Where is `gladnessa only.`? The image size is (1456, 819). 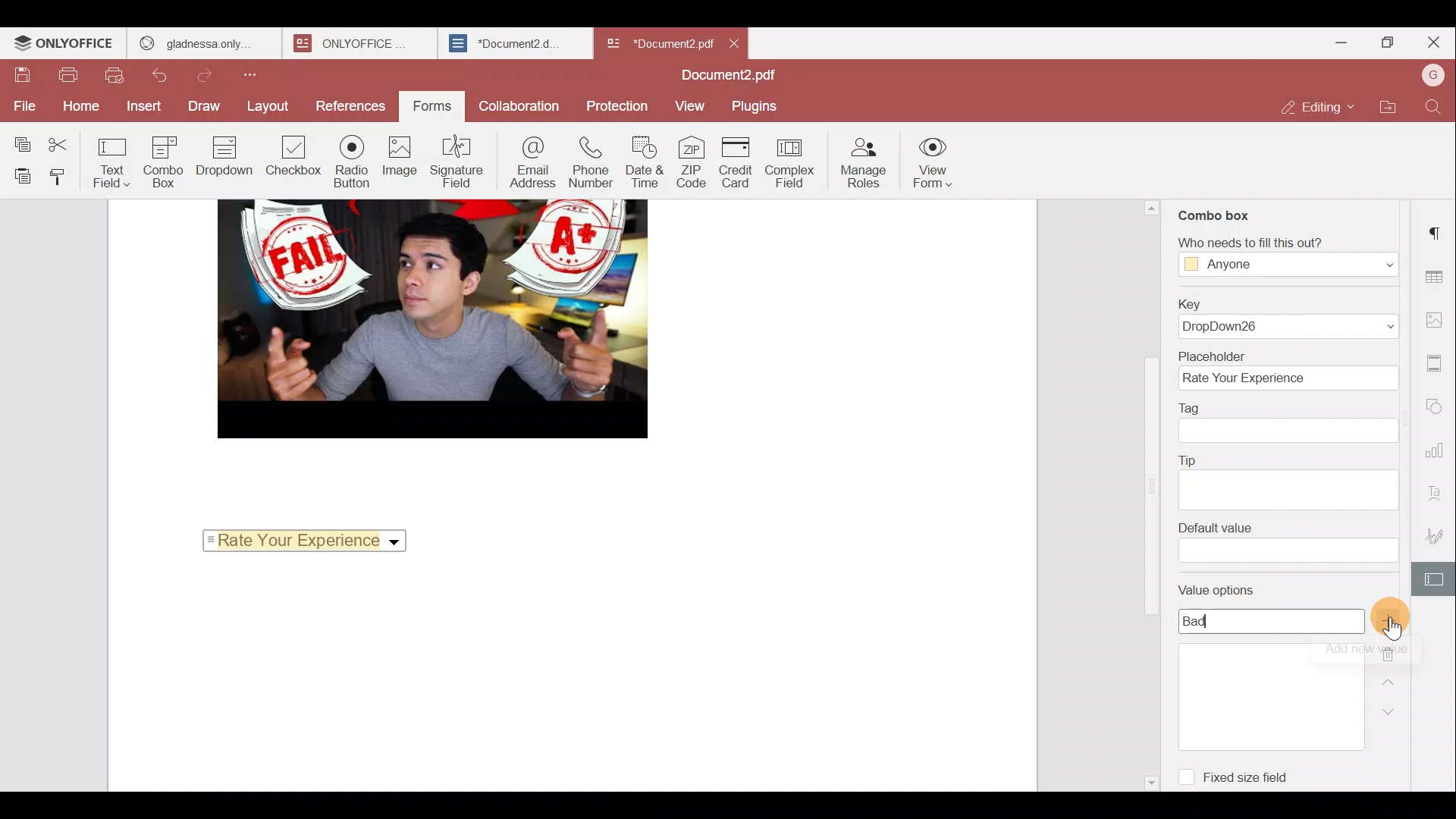 gladnessa only. is located at coordinates (196, 41).